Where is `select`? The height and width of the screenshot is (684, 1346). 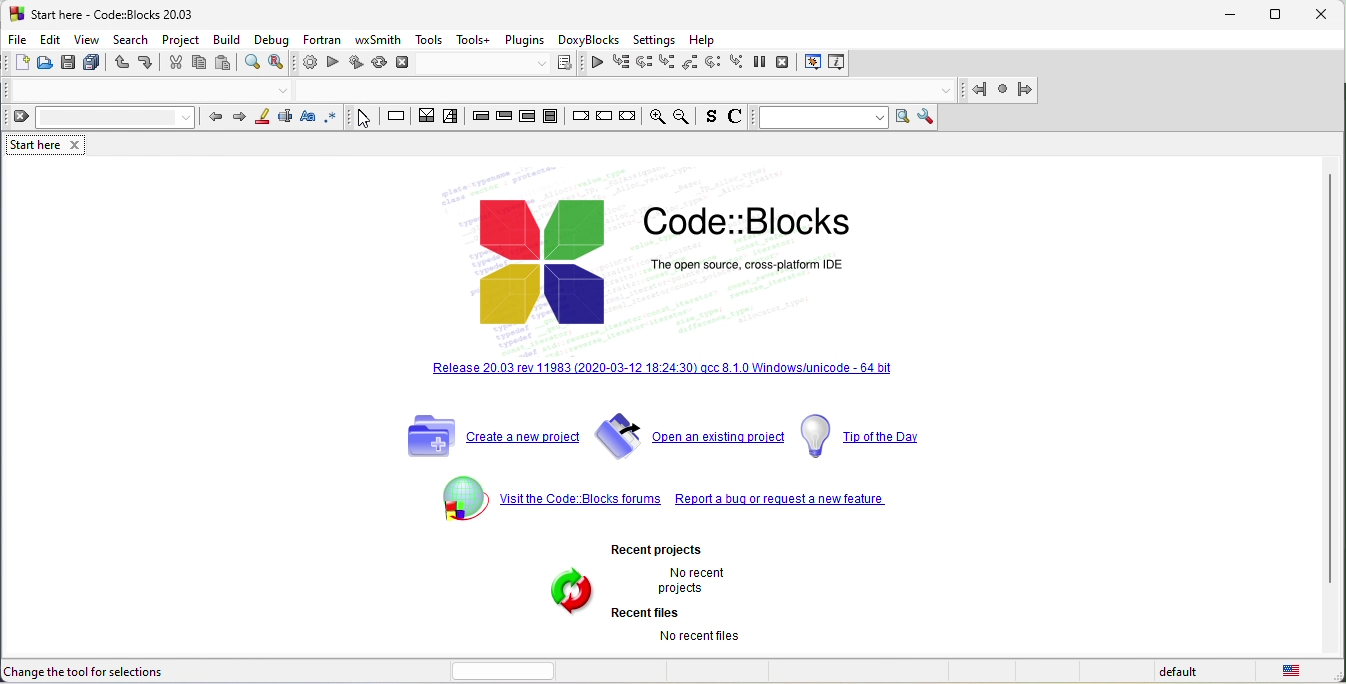 select is located at coordinates (366, 119).